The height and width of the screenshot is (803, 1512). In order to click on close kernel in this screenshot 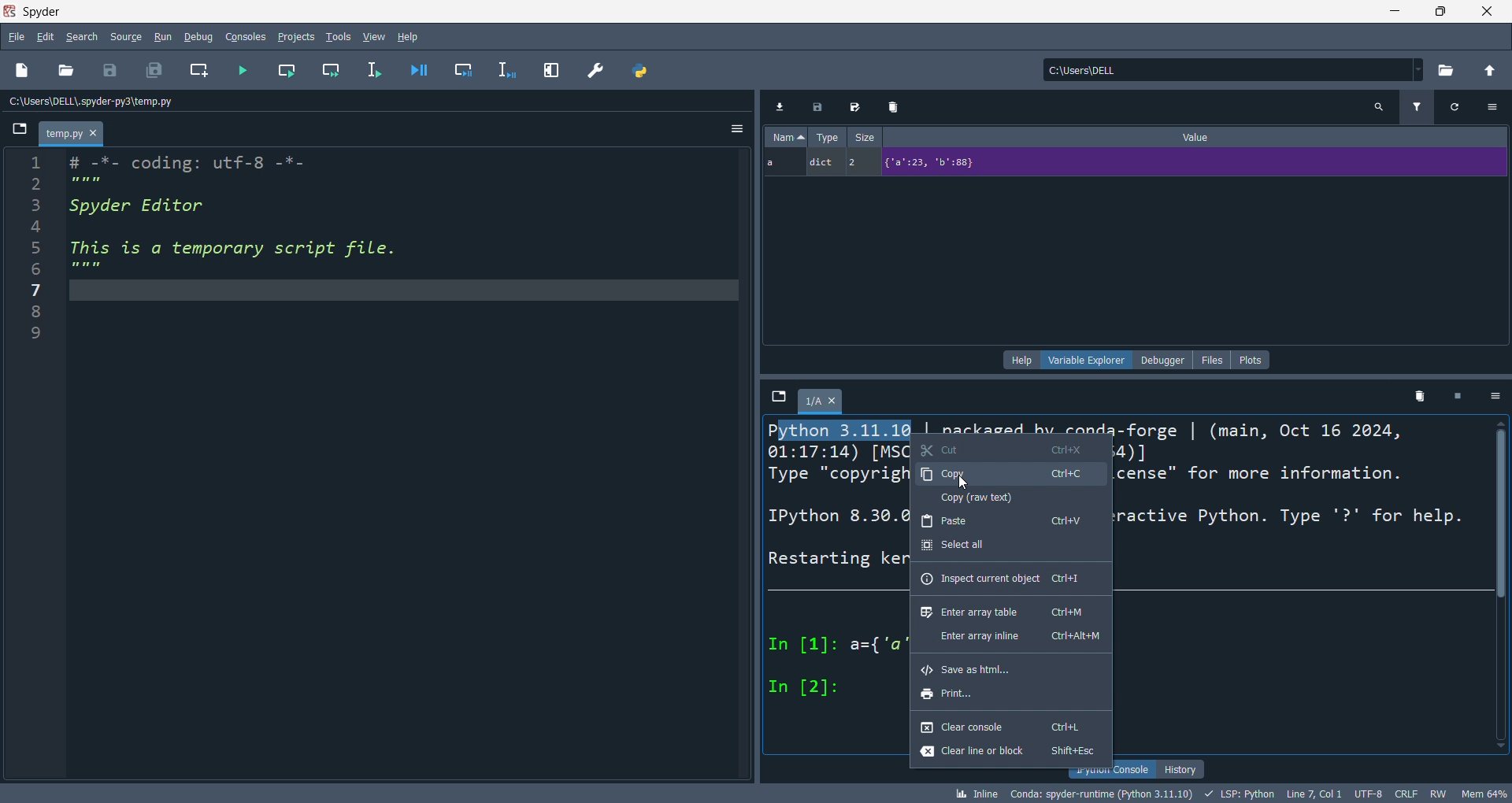, I will do `click(1462, 395)`.